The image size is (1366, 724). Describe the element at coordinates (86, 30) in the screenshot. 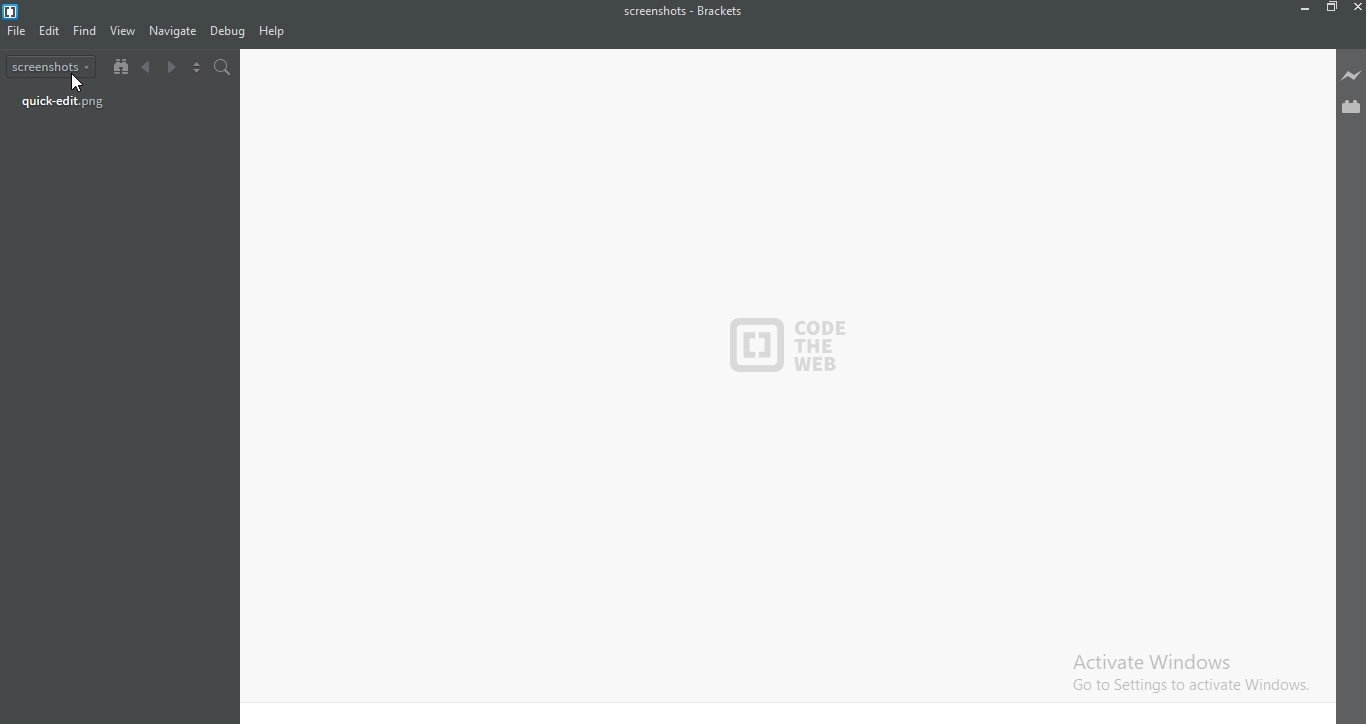

I see `find` at that location.